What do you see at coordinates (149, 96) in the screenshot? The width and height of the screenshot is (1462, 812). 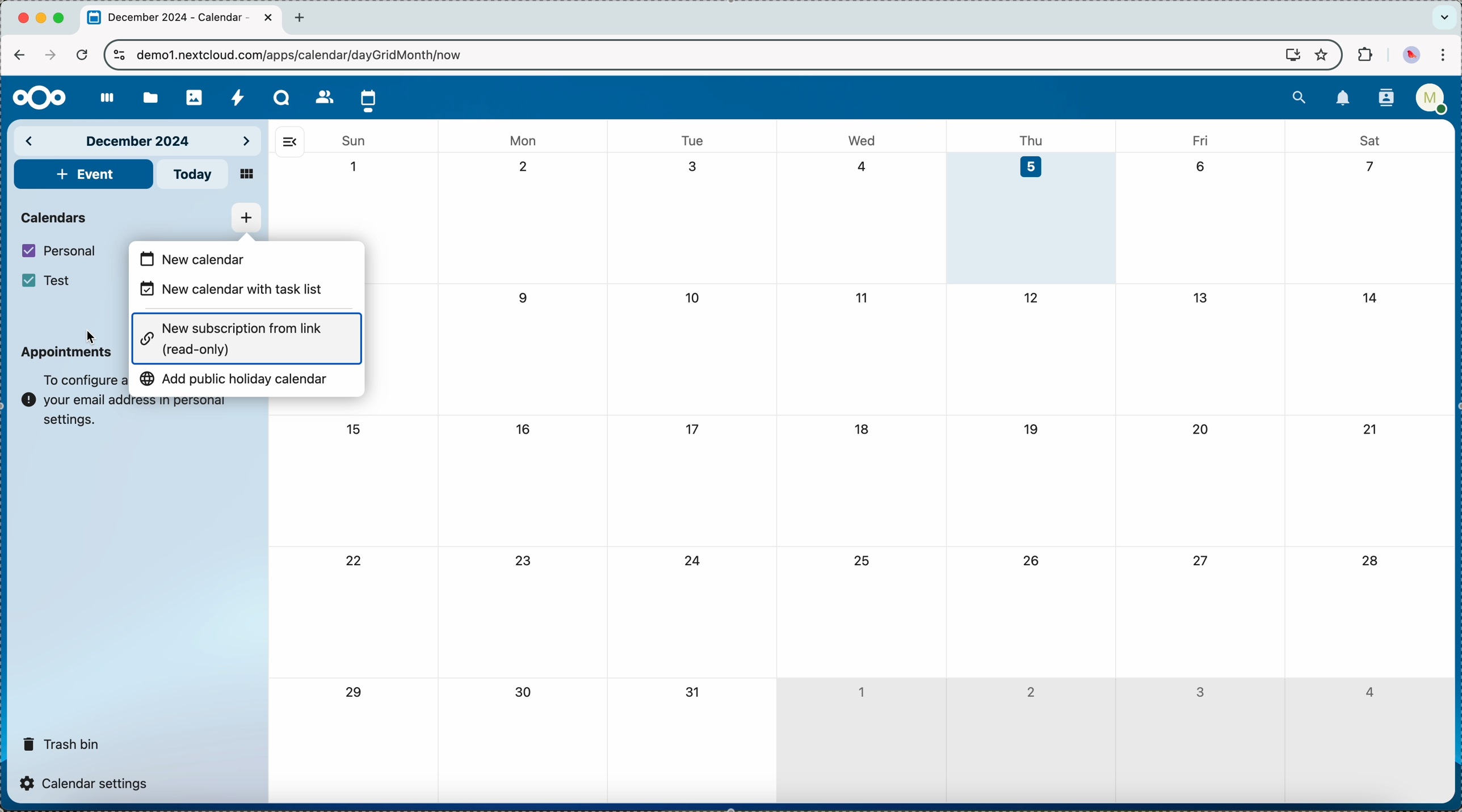 I see `files` at bounding box center [149, 96].